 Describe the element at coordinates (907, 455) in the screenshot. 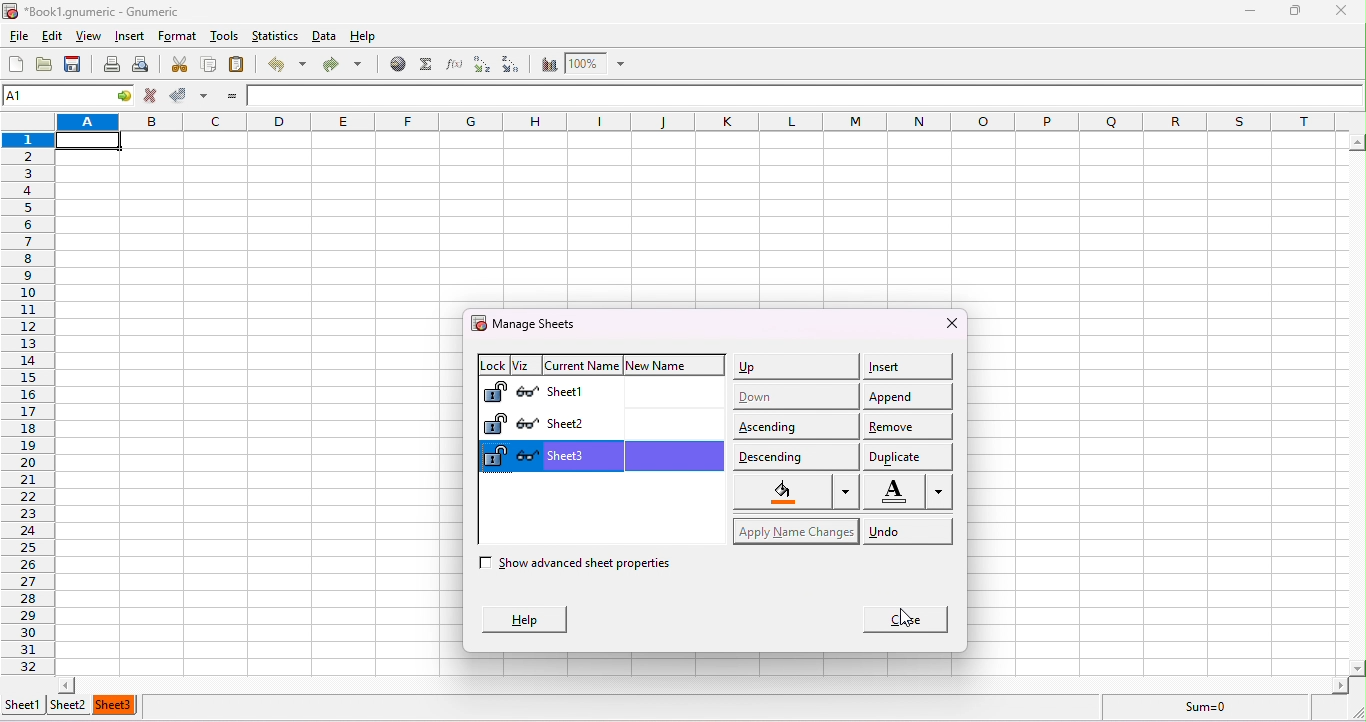

I see `duplicate` at that location.